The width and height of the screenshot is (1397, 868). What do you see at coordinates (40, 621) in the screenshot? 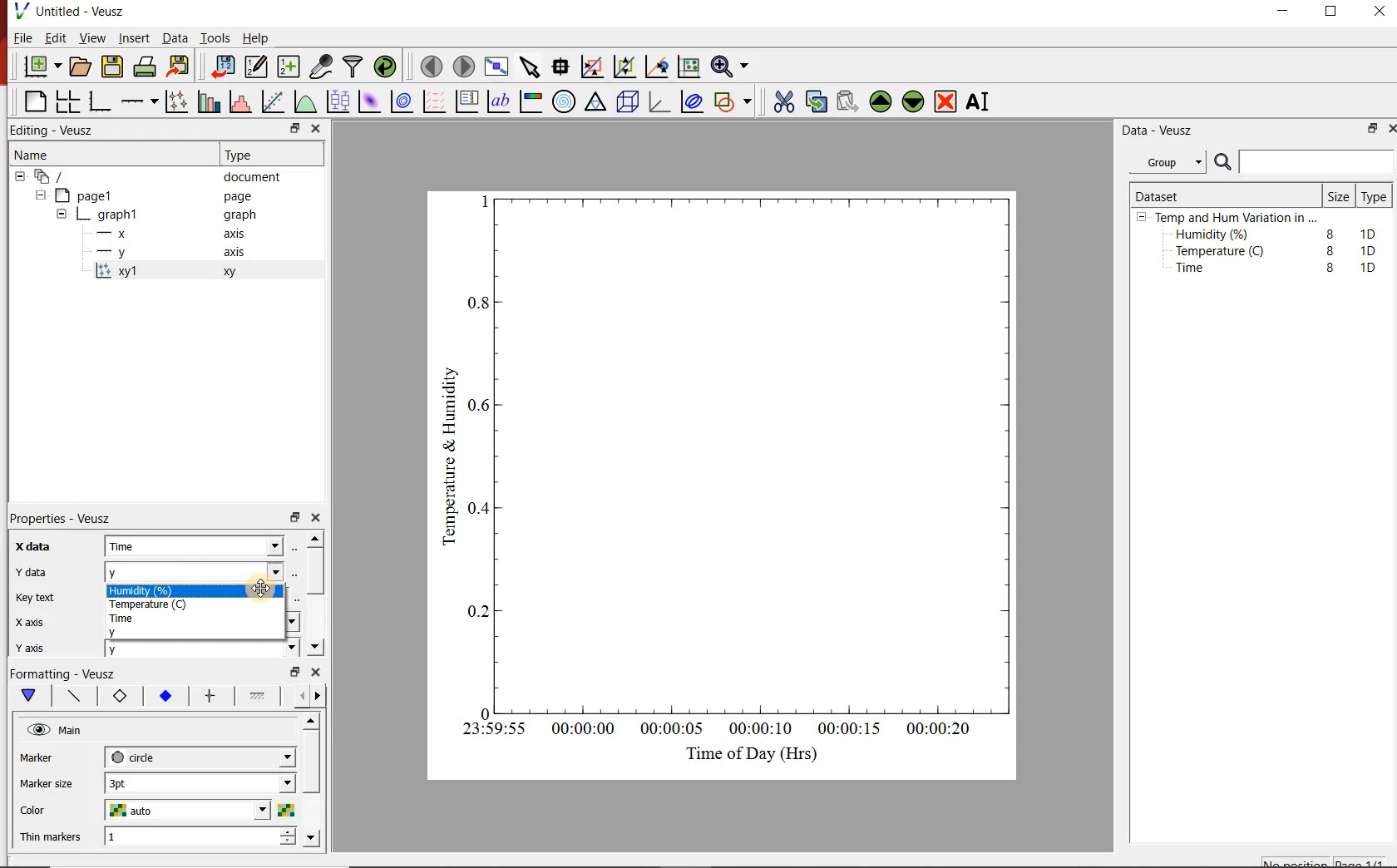
I see `x axis` at bounding box center [40, 621].